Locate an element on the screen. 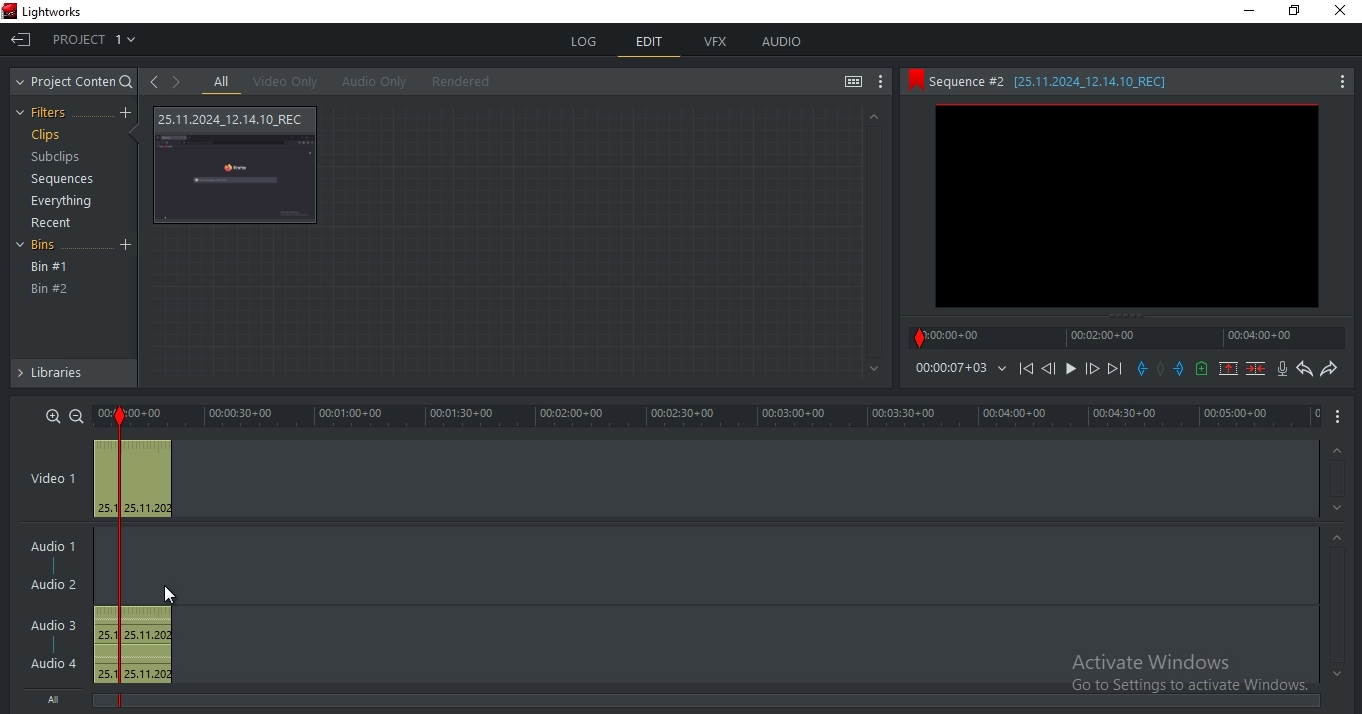 This screenshot has height=714, width=1362. rendered is located at coordinates (461, 81).